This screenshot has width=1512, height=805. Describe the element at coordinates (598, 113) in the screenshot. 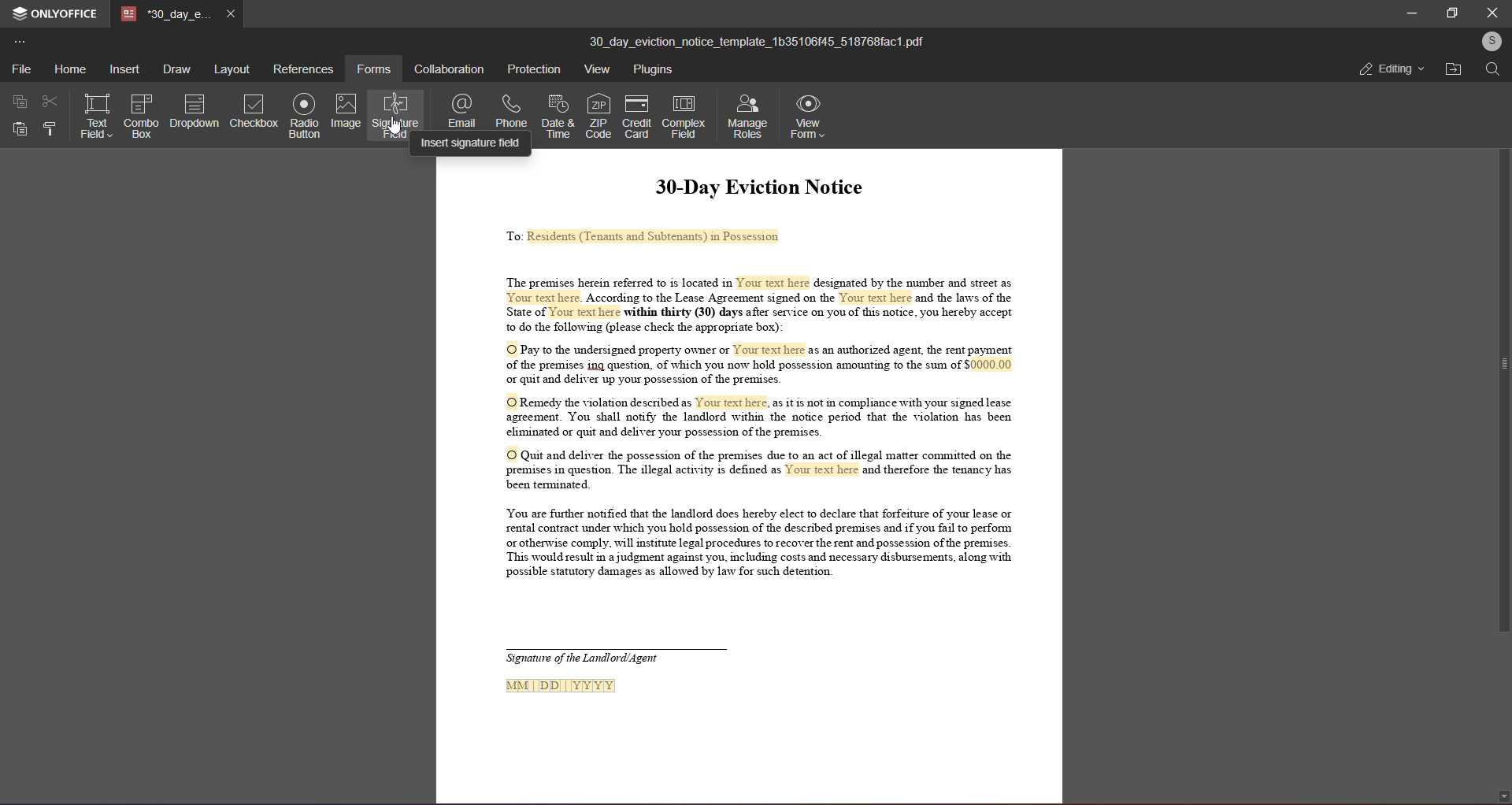

I see `zip code` at that location.